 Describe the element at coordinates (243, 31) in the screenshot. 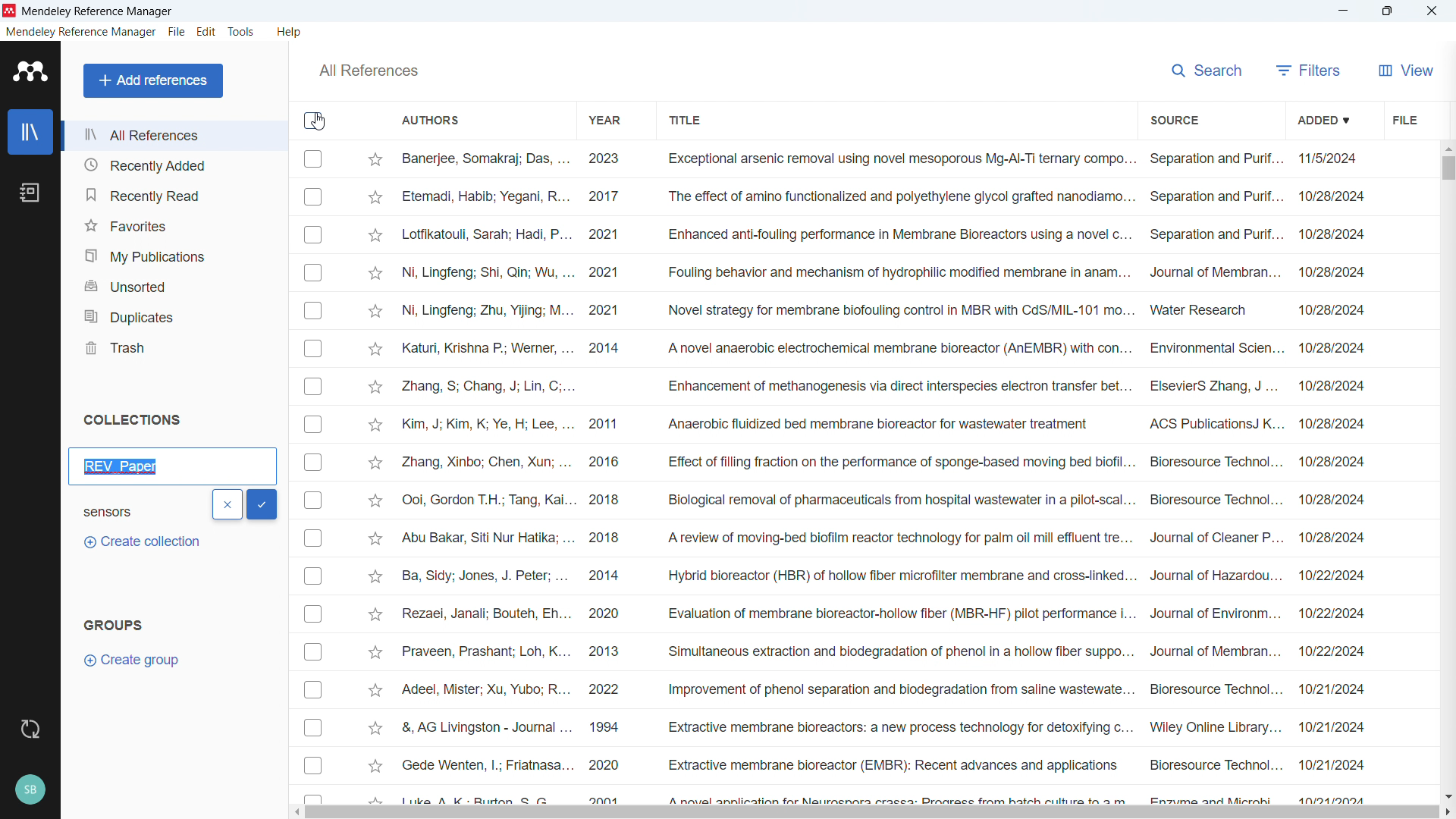

I see `tools` at that location.